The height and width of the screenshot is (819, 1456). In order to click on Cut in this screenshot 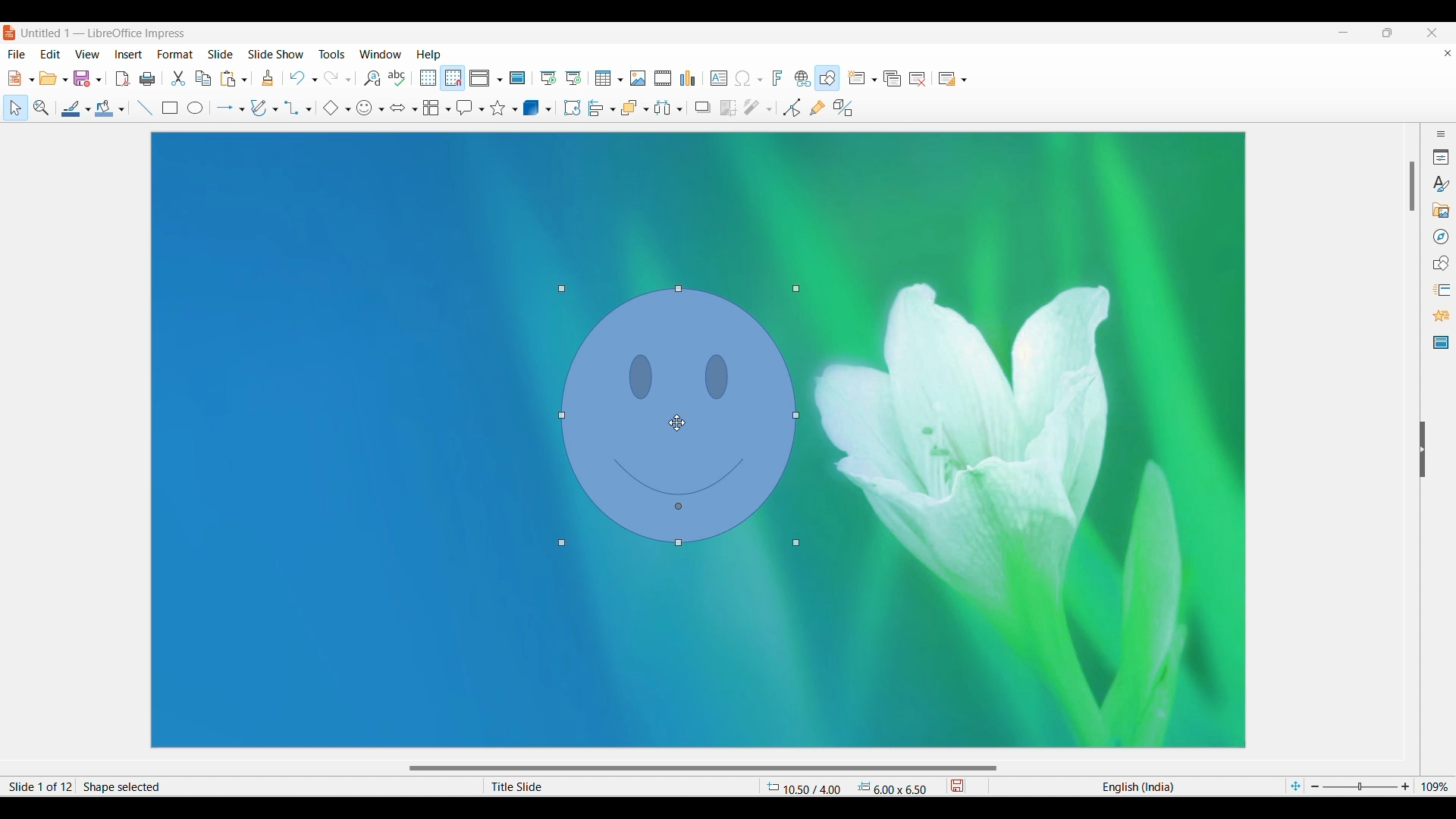, I will do `click(178, 78)`.